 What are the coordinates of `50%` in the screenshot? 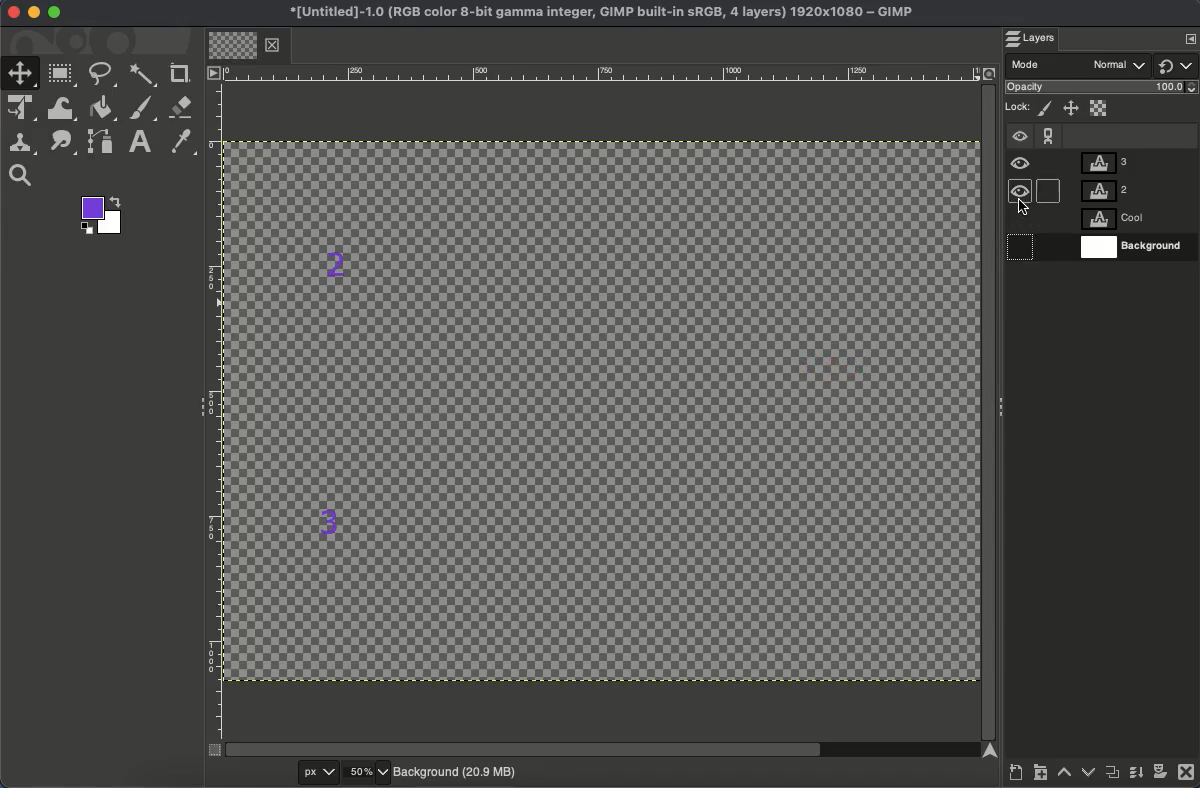 It's located at (366, 772).